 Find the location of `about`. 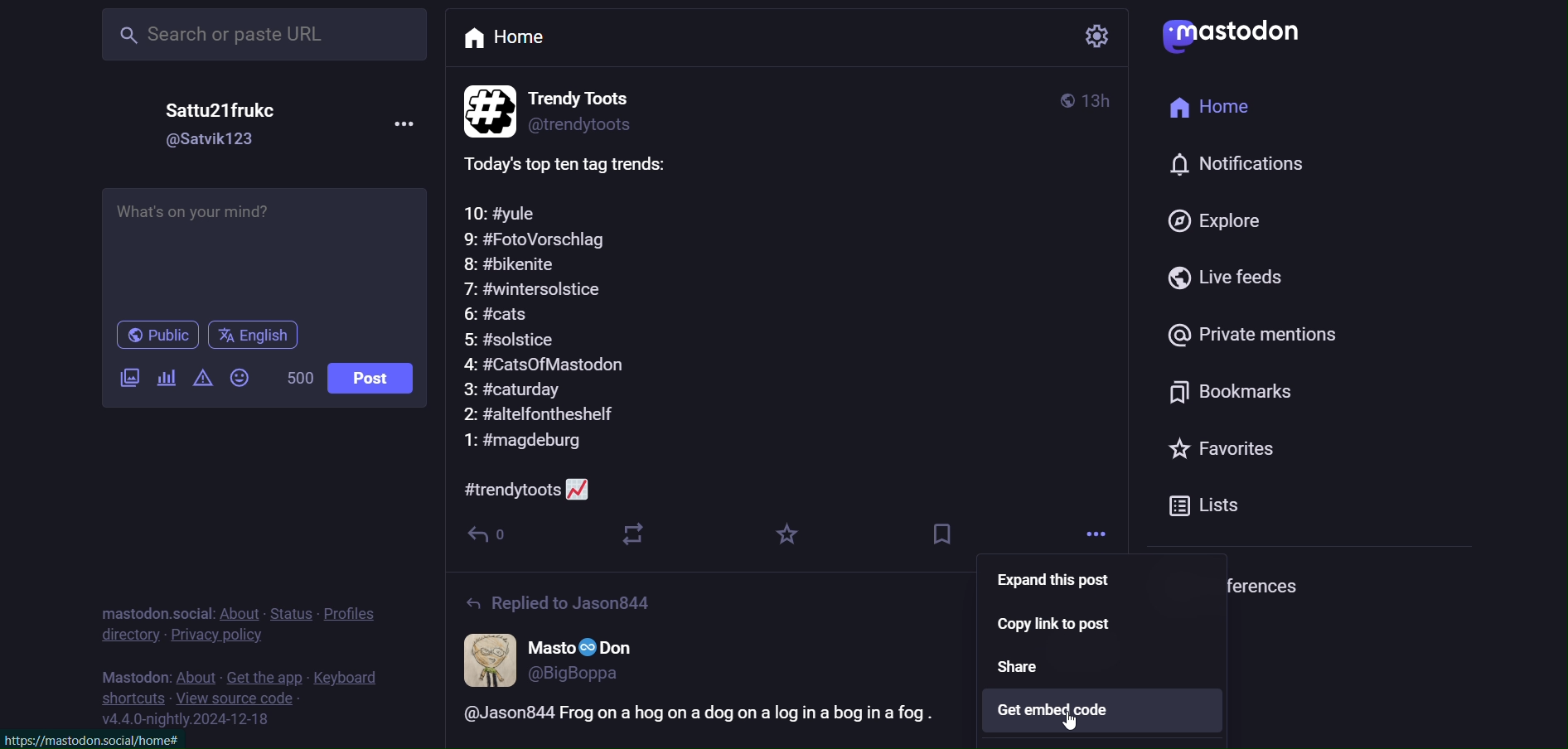

about is located at coordinates (192, 672).